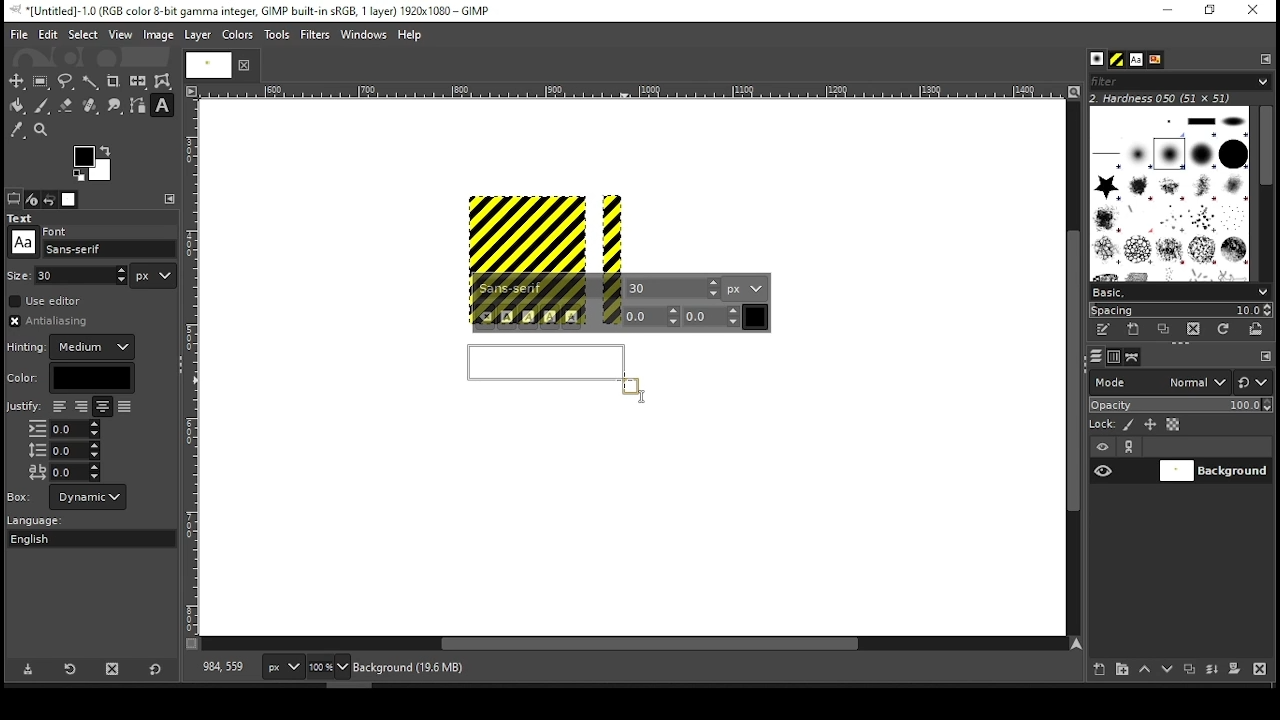 The height and width of the screenshot is (720, 1280). What do you see at coordinates (1177, 82) in the screenshot?
I see `filters` at bounding box center [1177, 82].